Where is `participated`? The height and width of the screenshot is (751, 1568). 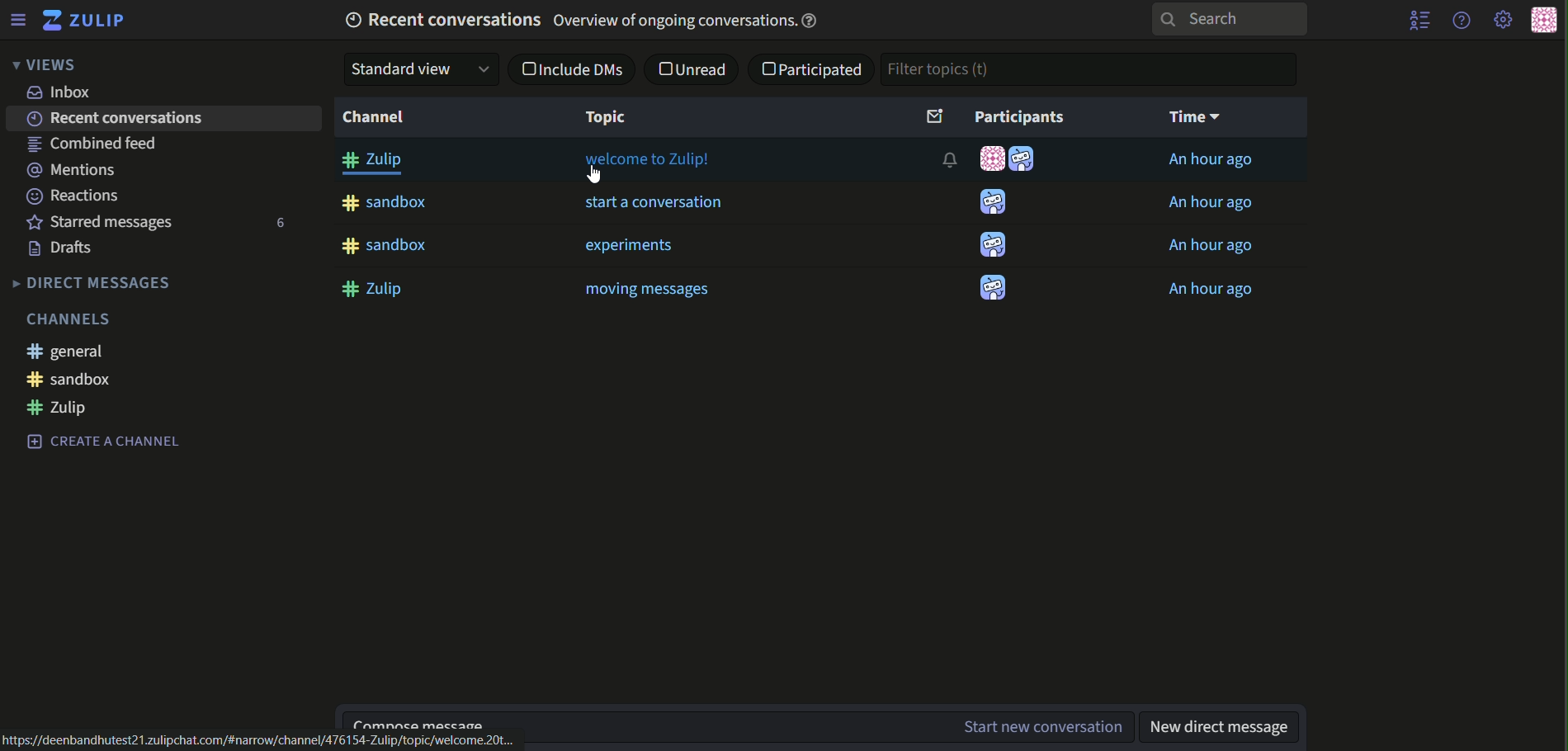
participated is located at coordinates (825, 68).